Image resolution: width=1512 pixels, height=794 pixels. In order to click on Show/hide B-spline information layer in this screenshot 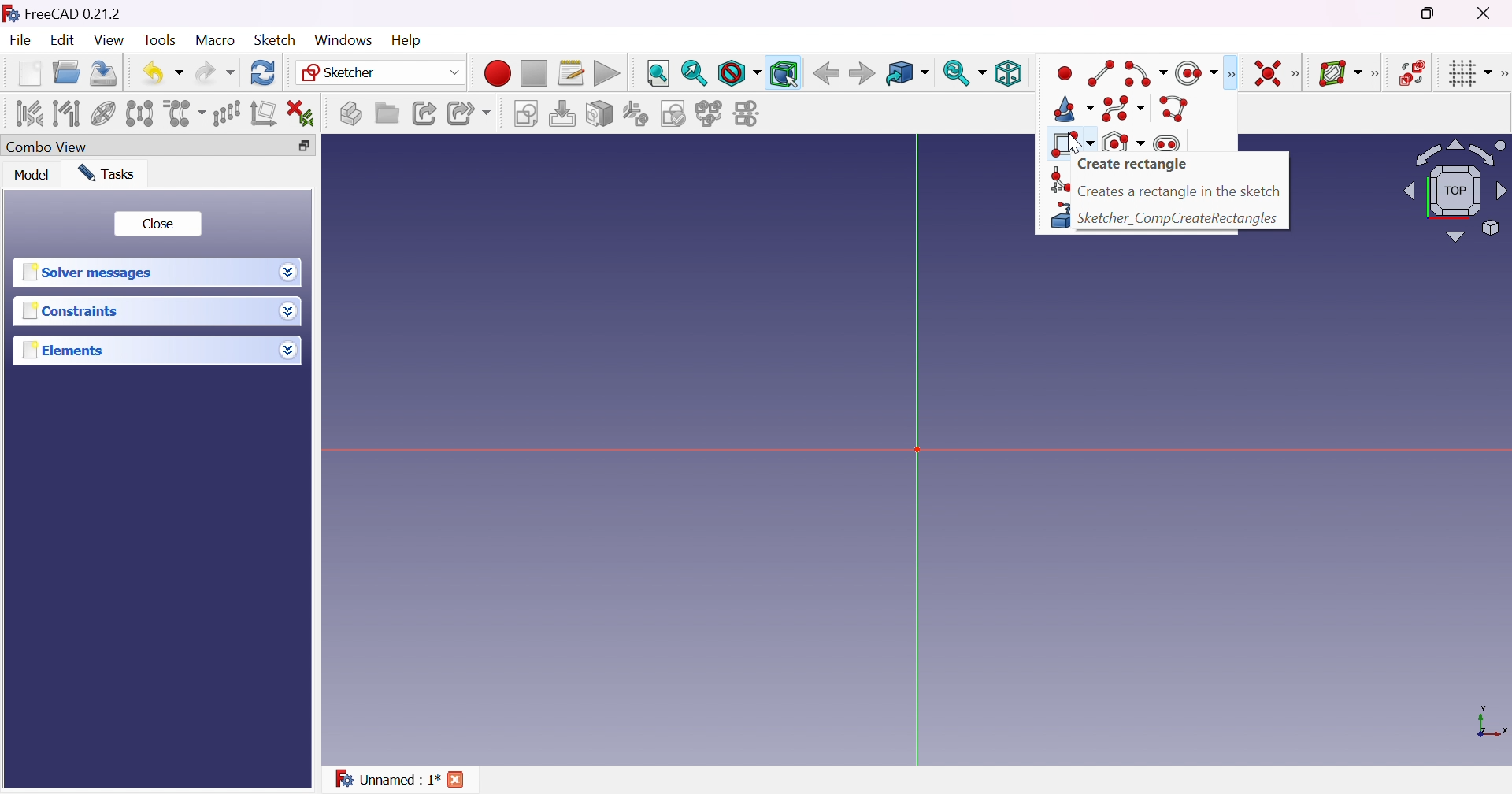, I will do `click(1340, 72)`.